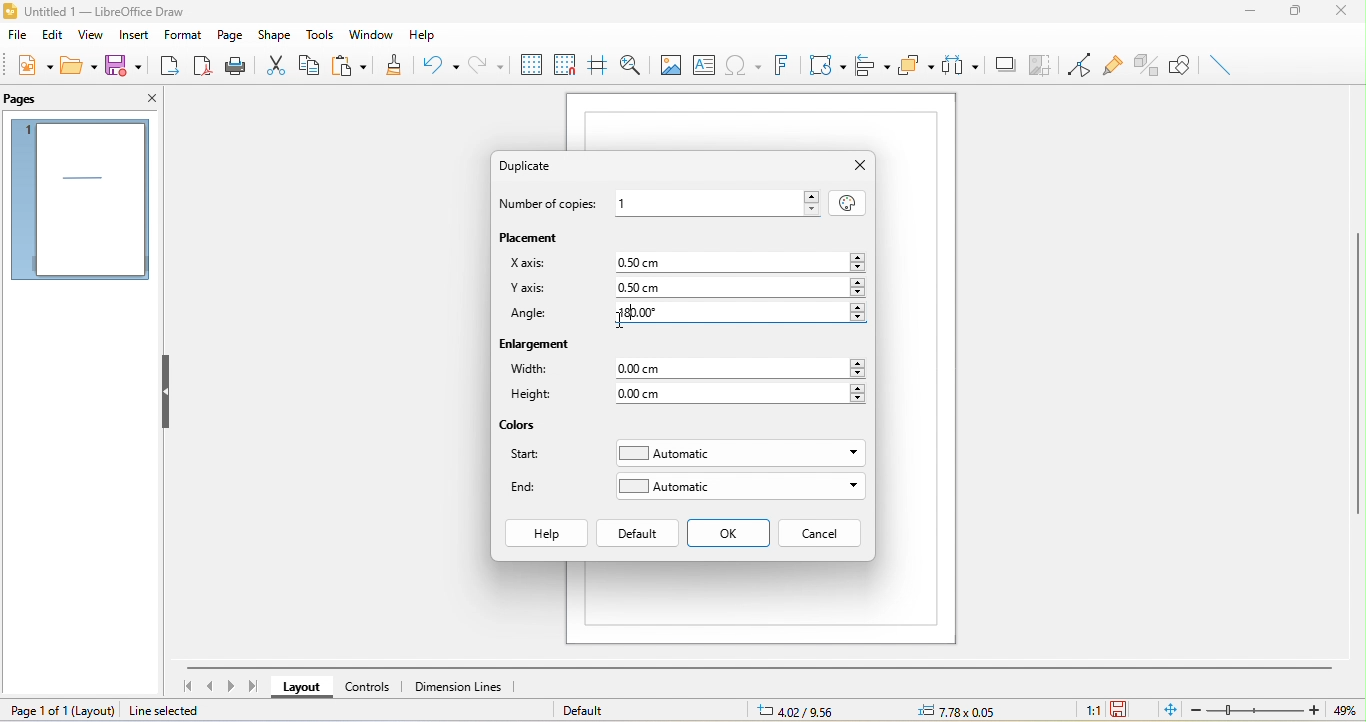  What do you see at coordinates (520, 426) in the screenshot?
I see `colors` at bounding box center [520, 426].